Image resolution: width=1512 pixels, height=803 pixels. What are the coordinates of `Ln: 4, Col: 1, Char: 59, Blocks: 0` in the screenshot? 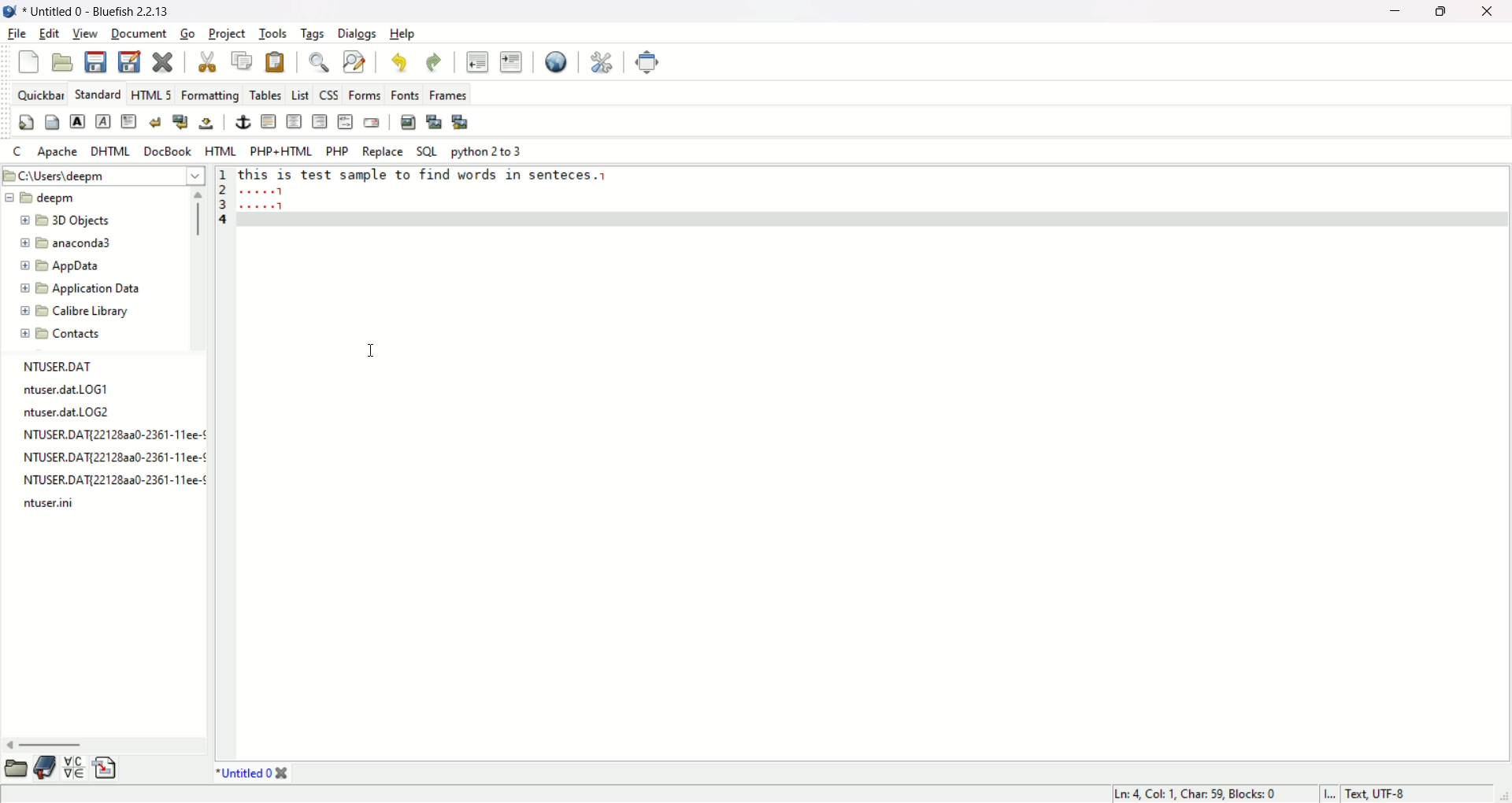 It's located at (1198, 794).